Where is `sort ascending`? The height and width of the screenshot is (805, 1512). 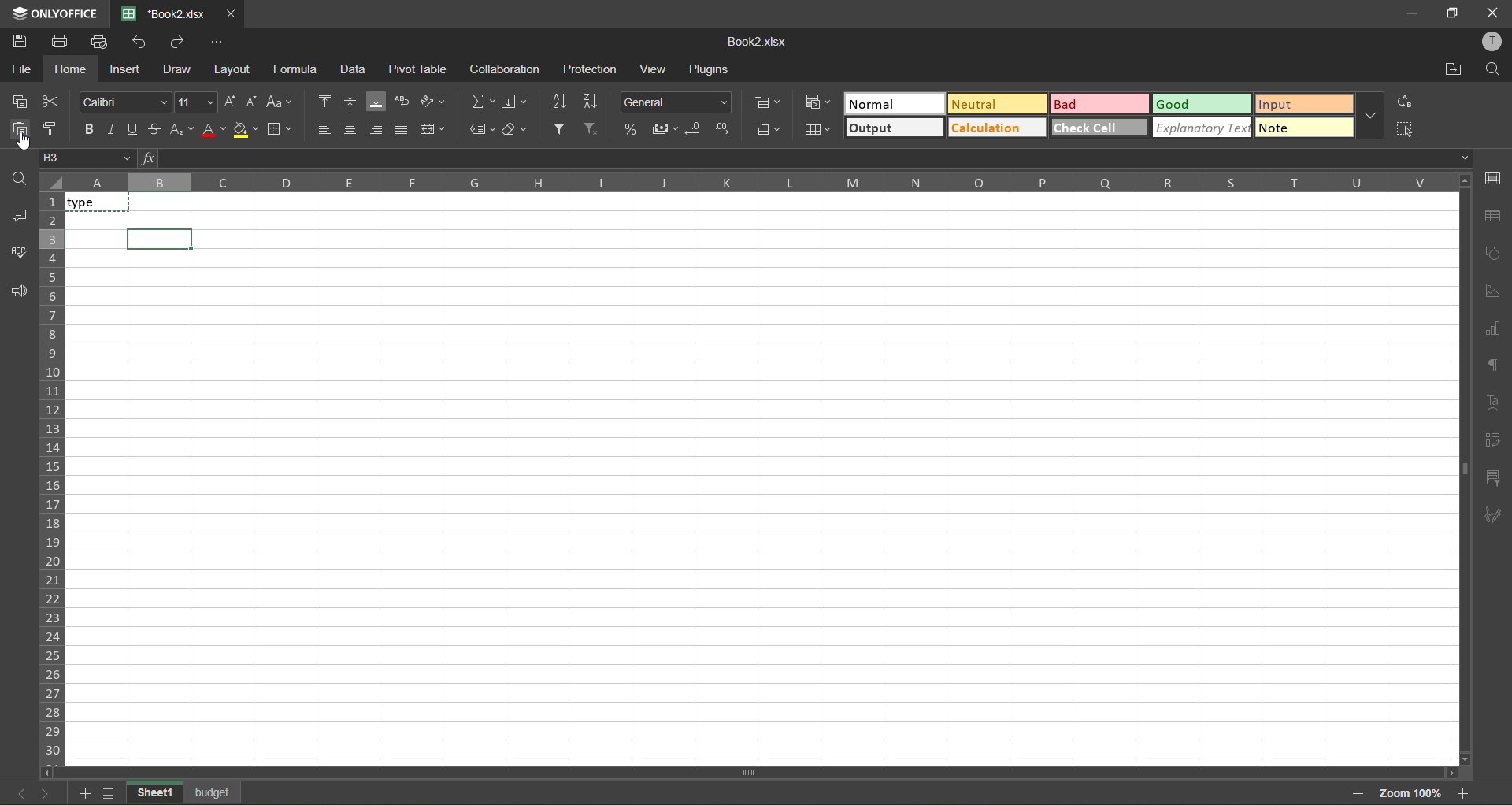 sort ascending is located at coordinates (559, 104).